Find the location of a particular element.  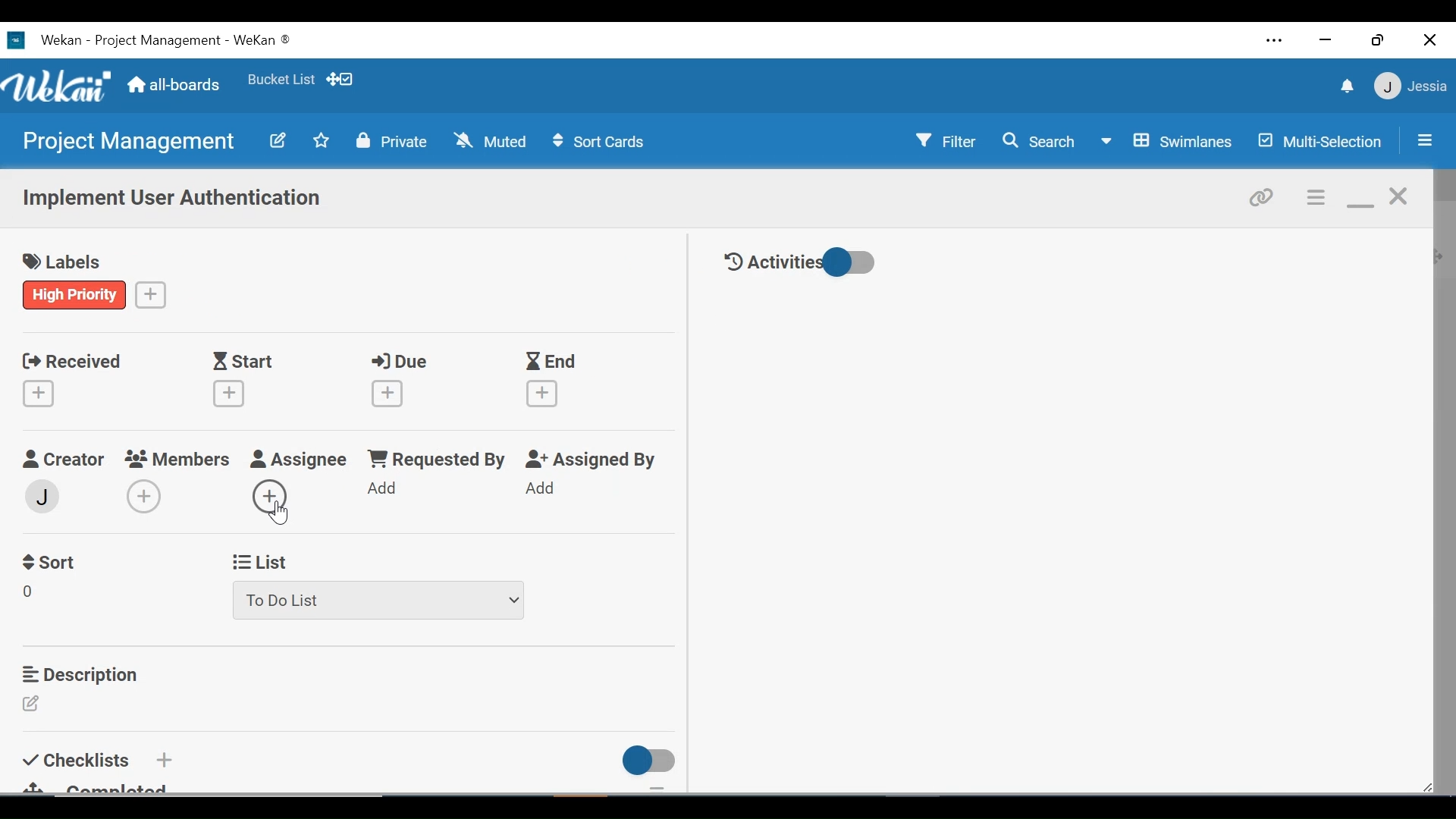

Open/Close Sidebar is located at coordinates (1423, 142).